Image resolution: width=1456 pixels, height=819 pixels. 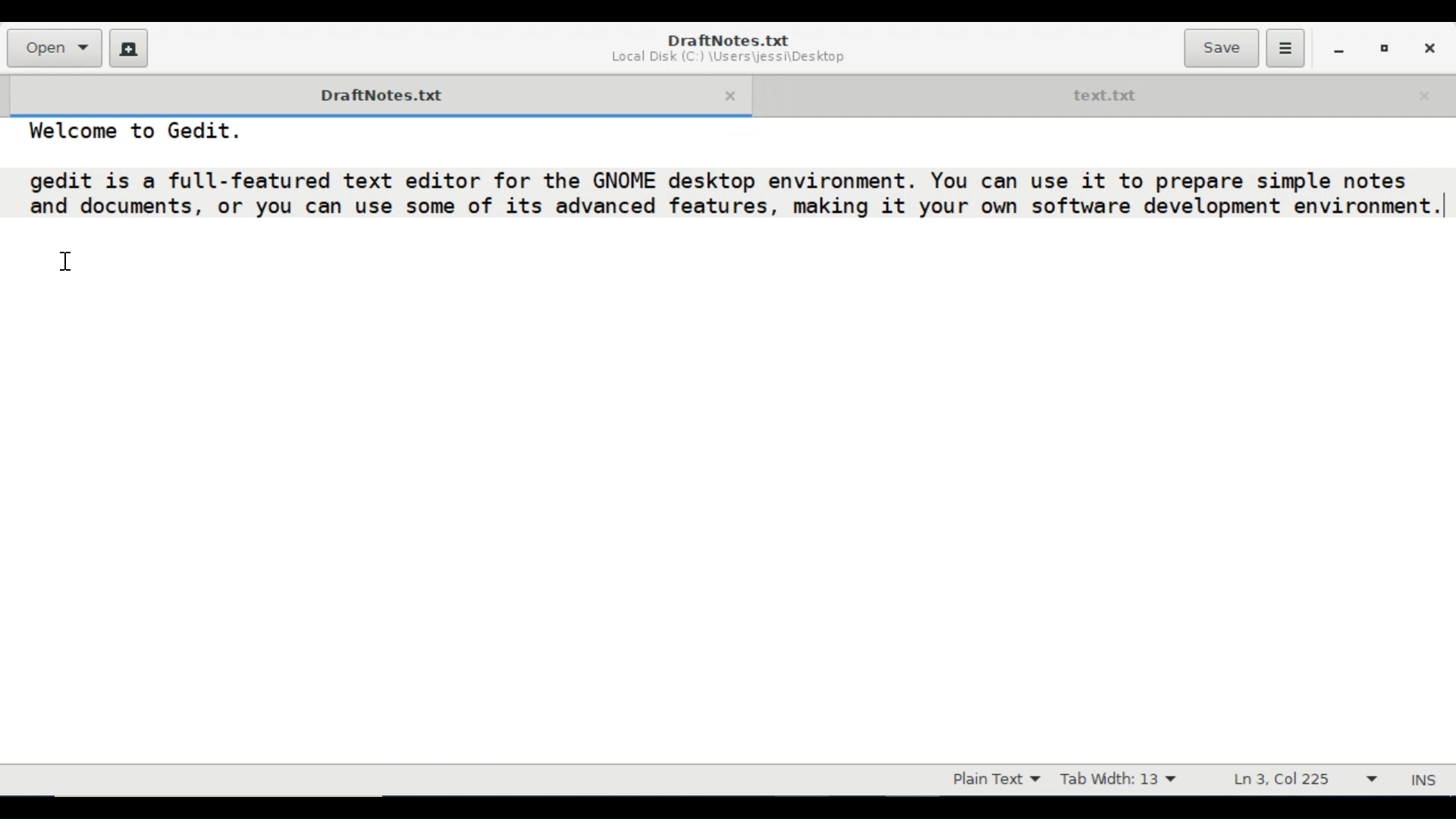 I want to click on Open, so click(x=53, y=48).